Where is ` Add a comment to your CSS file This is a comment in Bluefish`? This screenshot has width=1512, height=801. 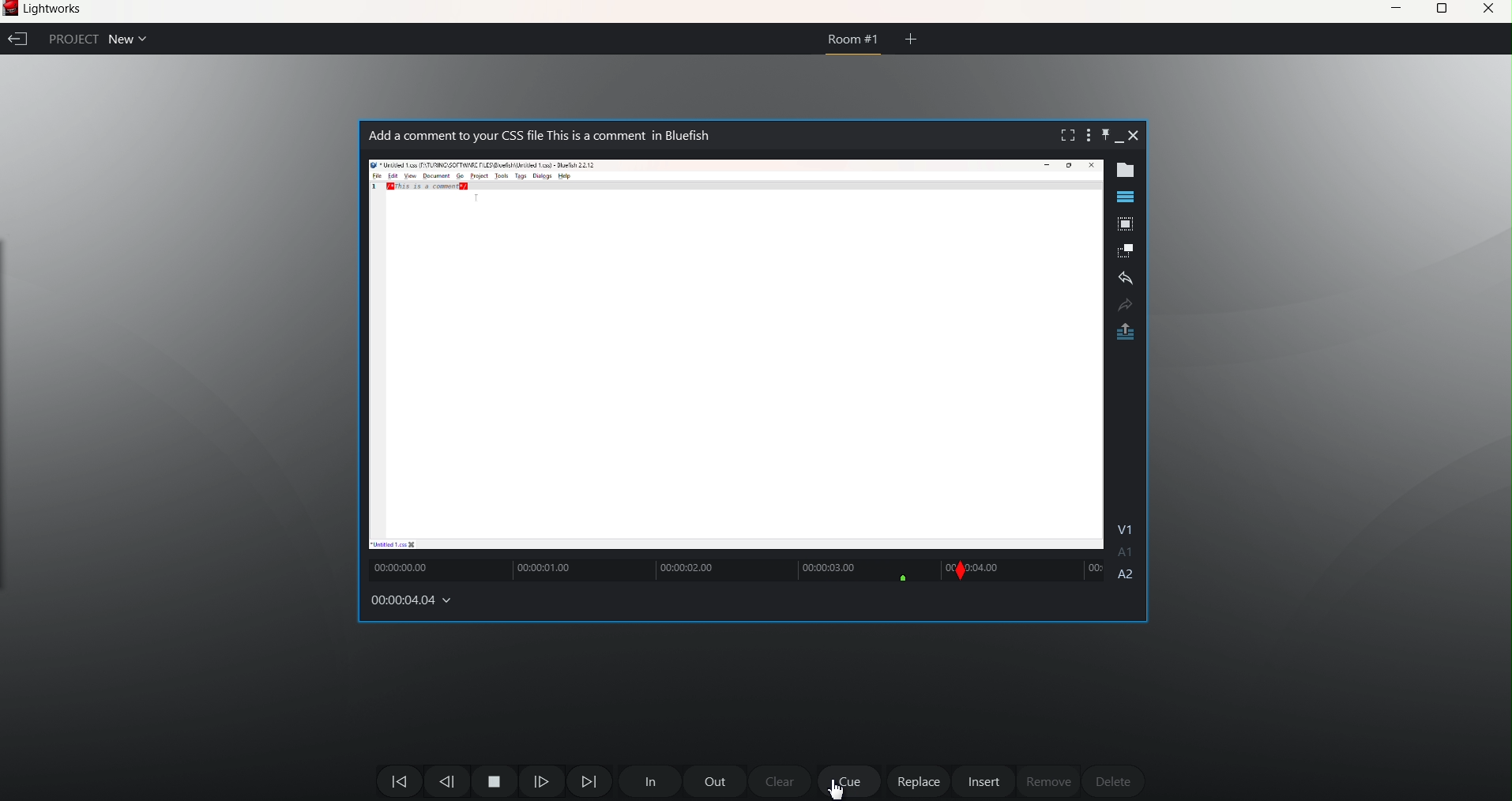  Add a comment to your CSS file This is a comment in Bluefish is located at coordinates (553, 136).